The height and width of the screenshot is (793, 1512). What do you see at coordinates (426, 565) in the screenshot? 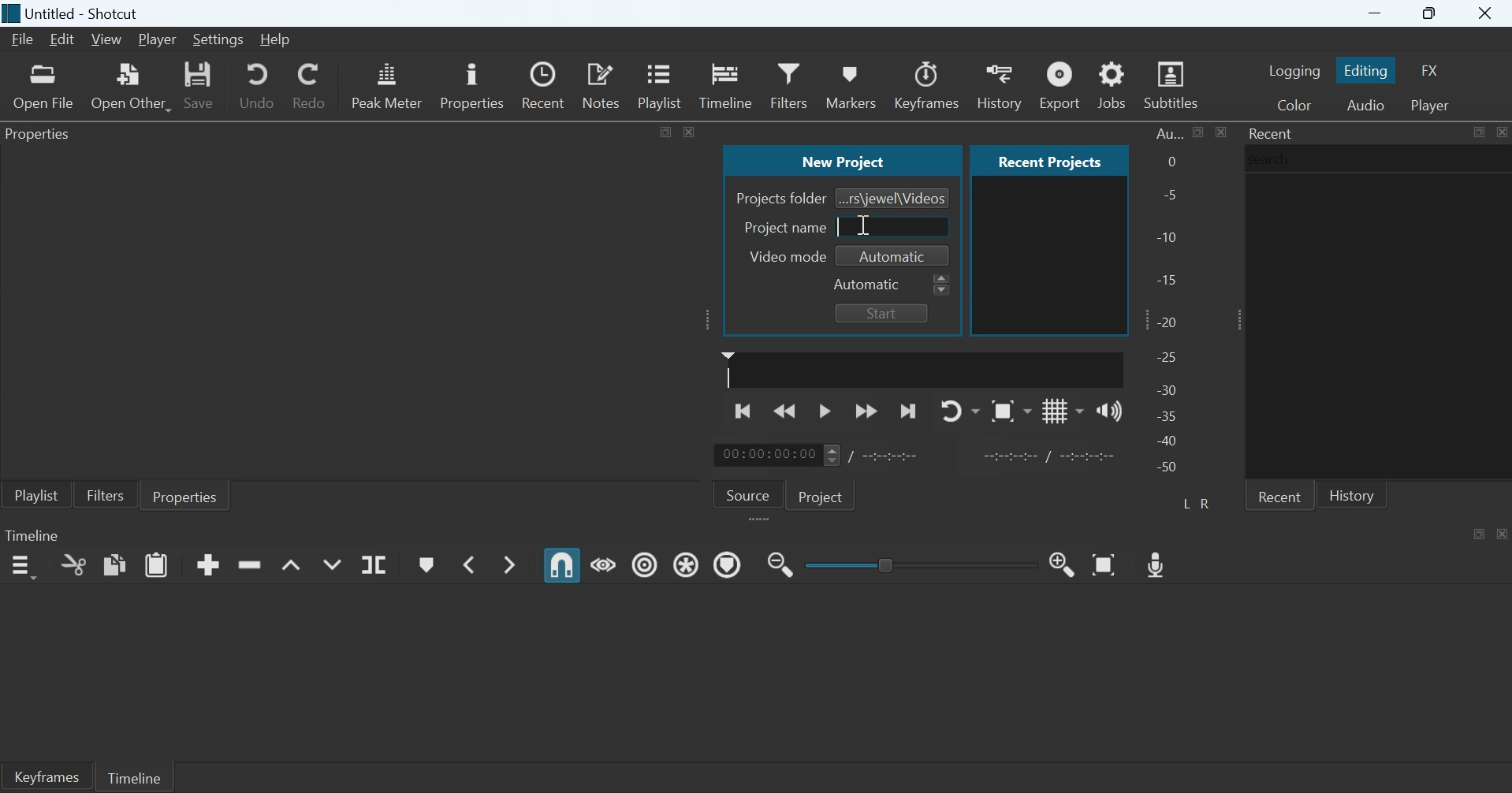
I see `create/edit marker` at bounding box center [426, 565].